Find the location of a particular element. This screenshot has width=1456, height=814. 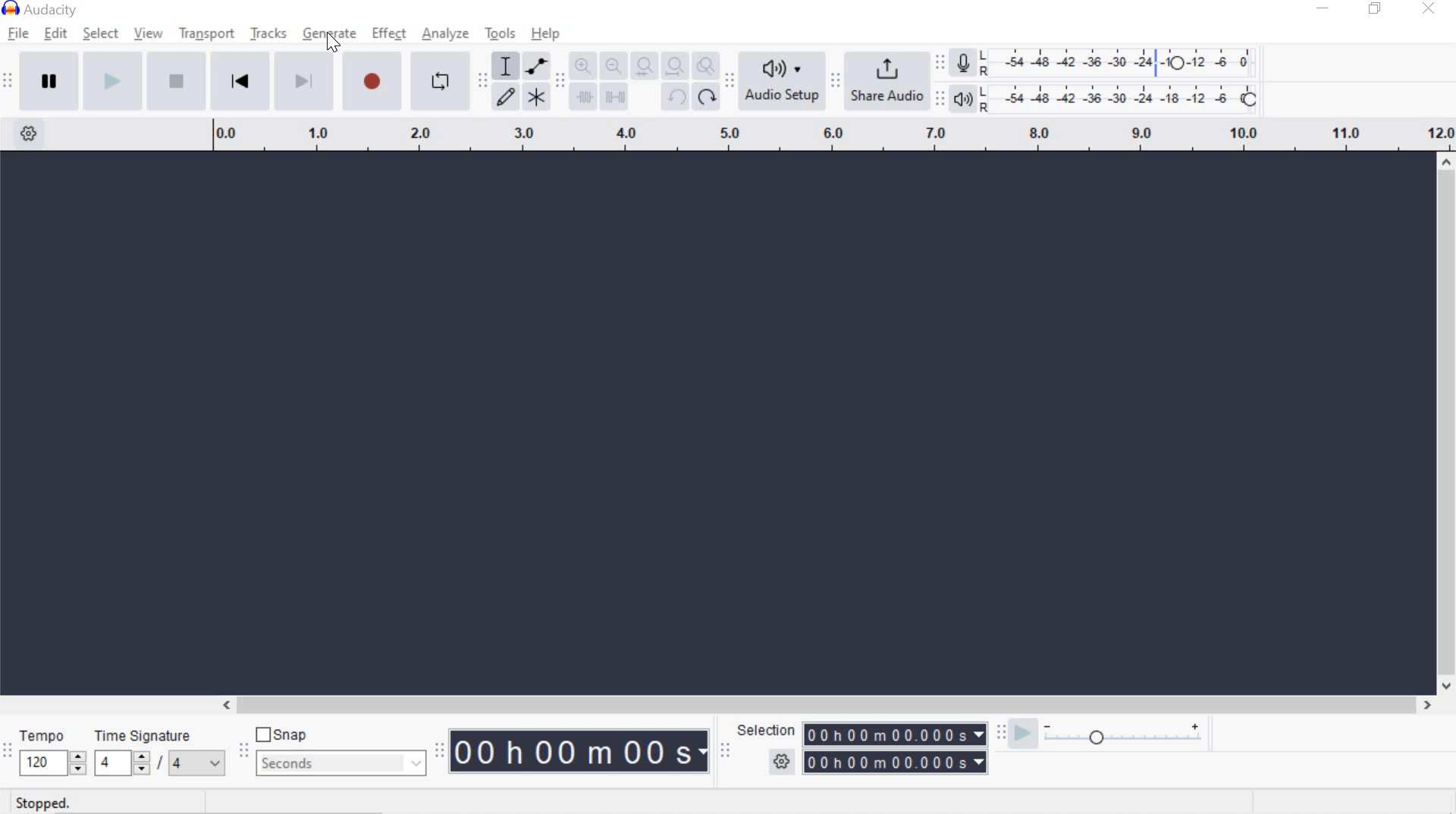

silence audio selection is located at coordinates (616, 96).